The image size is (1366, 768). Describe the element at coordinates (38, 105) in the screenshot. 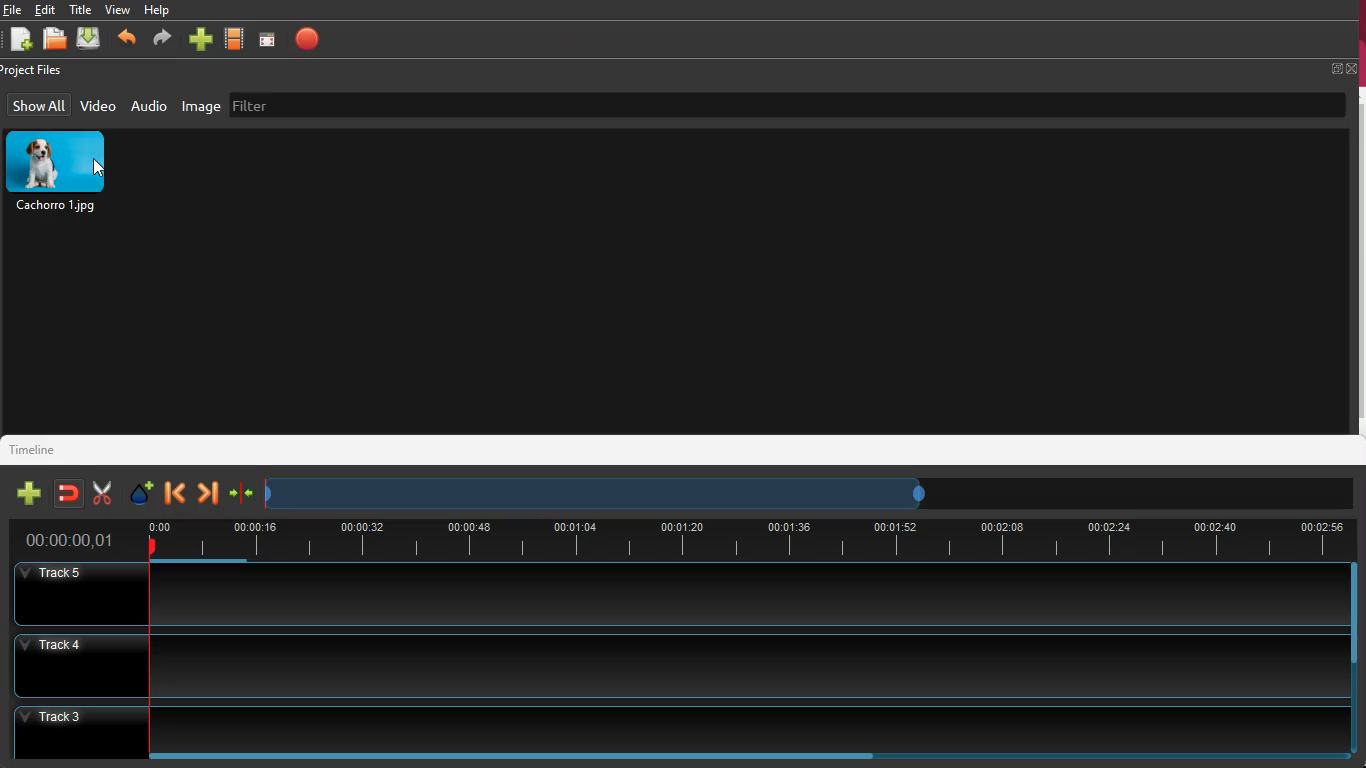

I see `show all` at that location.